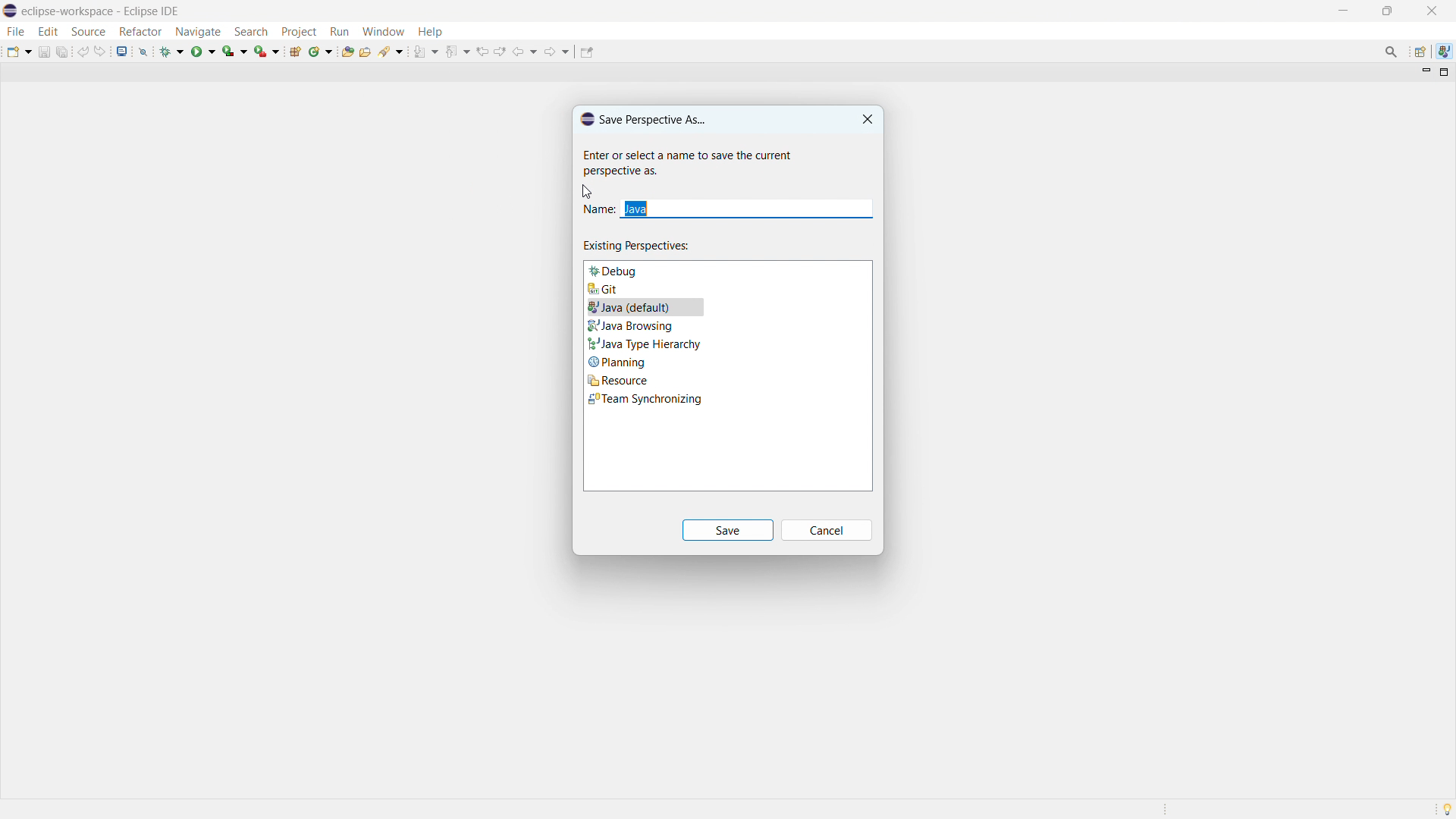 The image size is (1456, 819). I want to click on window, so click(383, 31).